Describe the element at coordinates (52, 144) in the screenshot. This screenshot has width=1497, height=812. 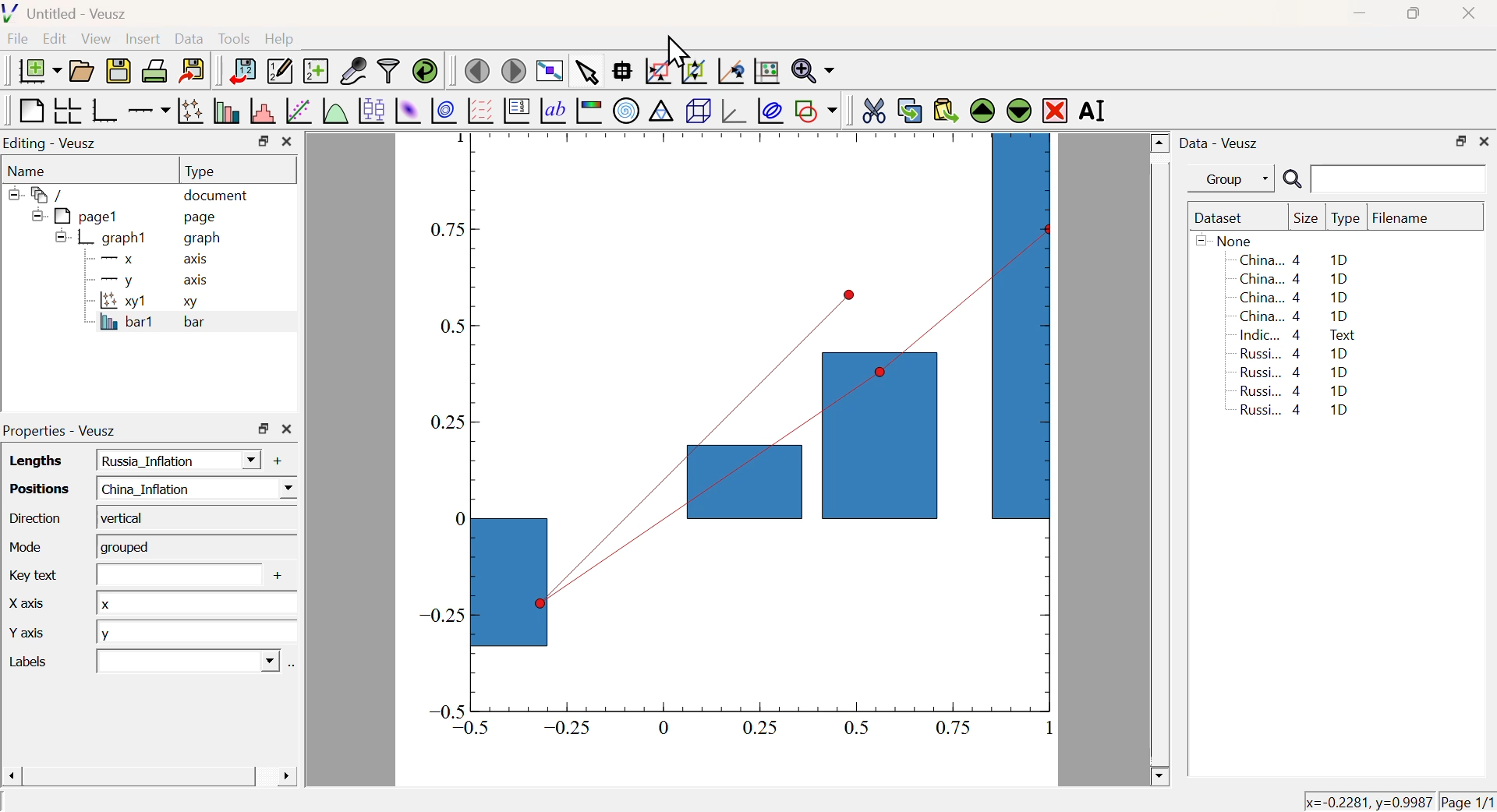
I see `Editing - Veusz` at that location.